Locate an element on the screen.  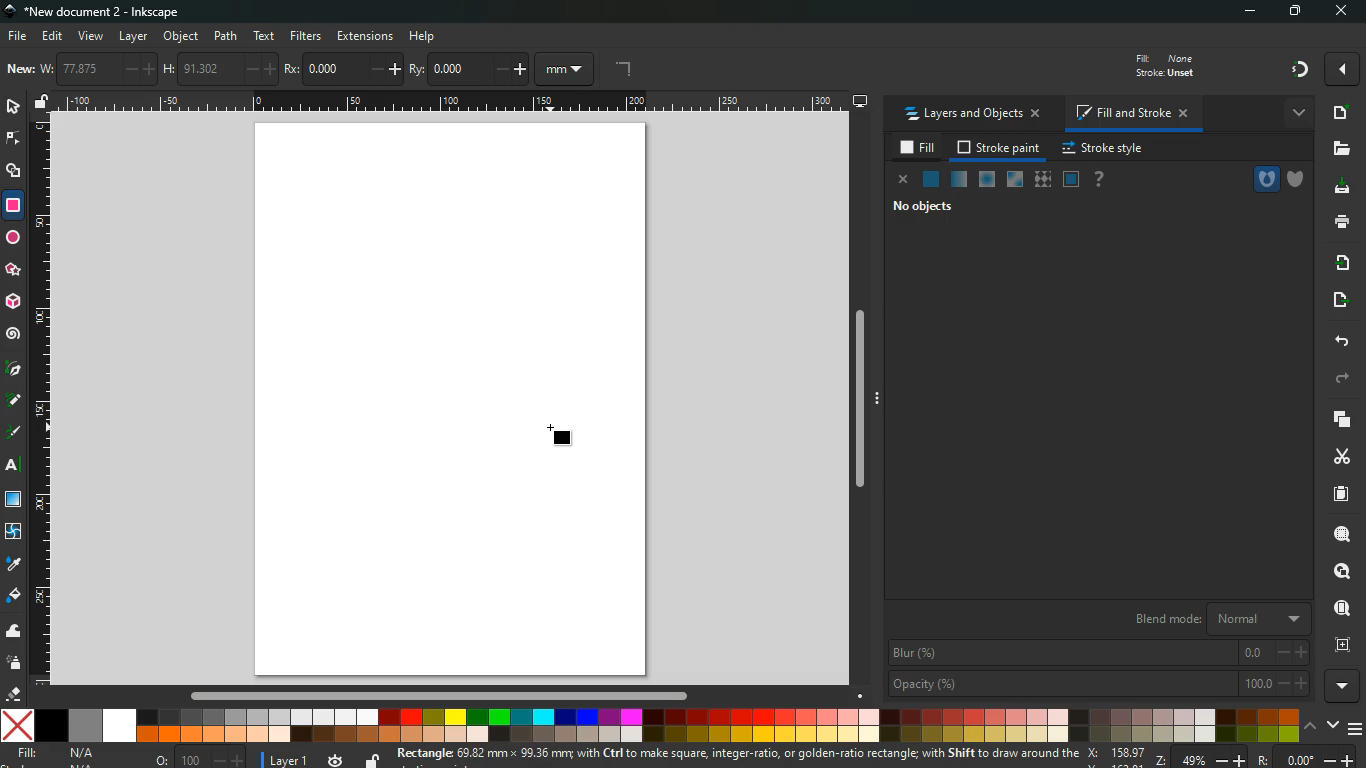
gradient is located at coordinates (1294, 70).